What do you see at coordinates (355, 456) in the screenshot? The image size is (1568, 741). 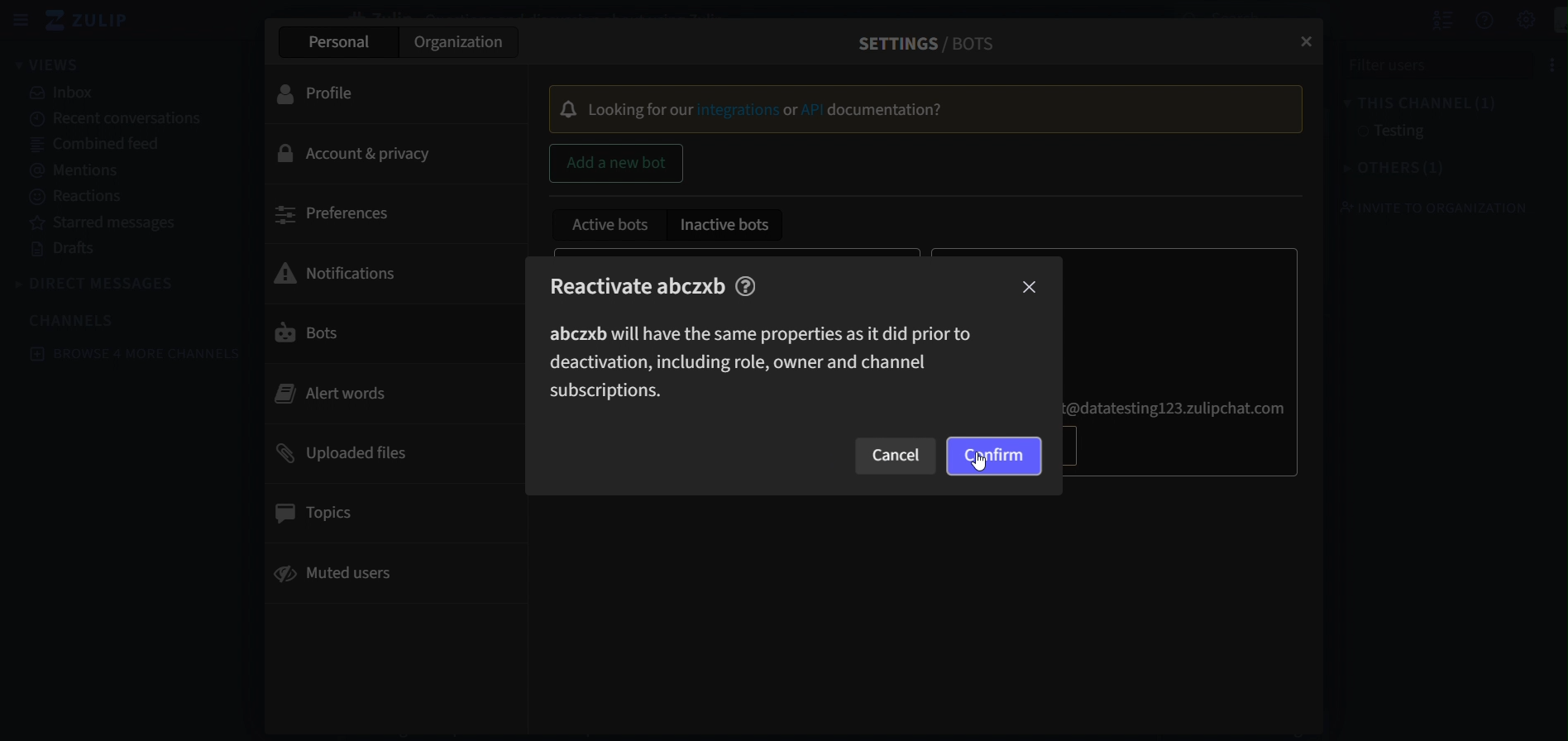 I see `uploaded files` at bounding box center [355, 456].